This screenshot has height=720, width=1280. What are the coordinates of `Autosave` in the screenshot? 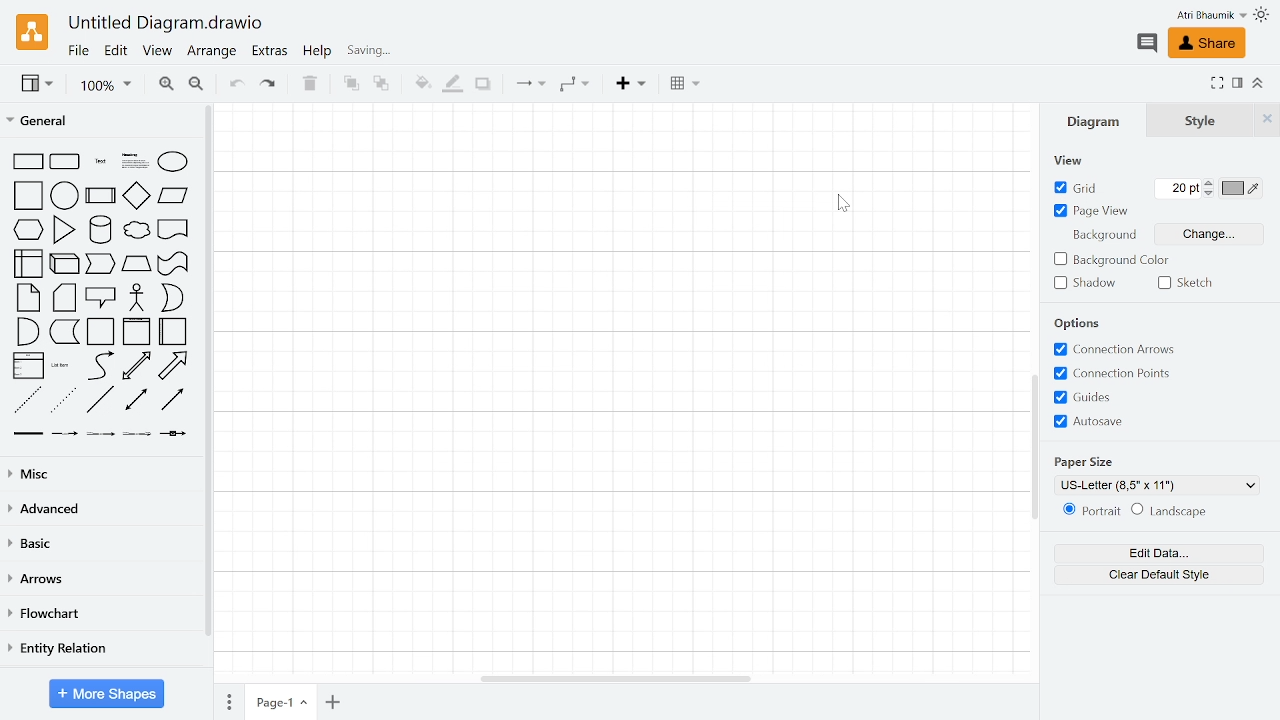 It's located at (1114, 421).